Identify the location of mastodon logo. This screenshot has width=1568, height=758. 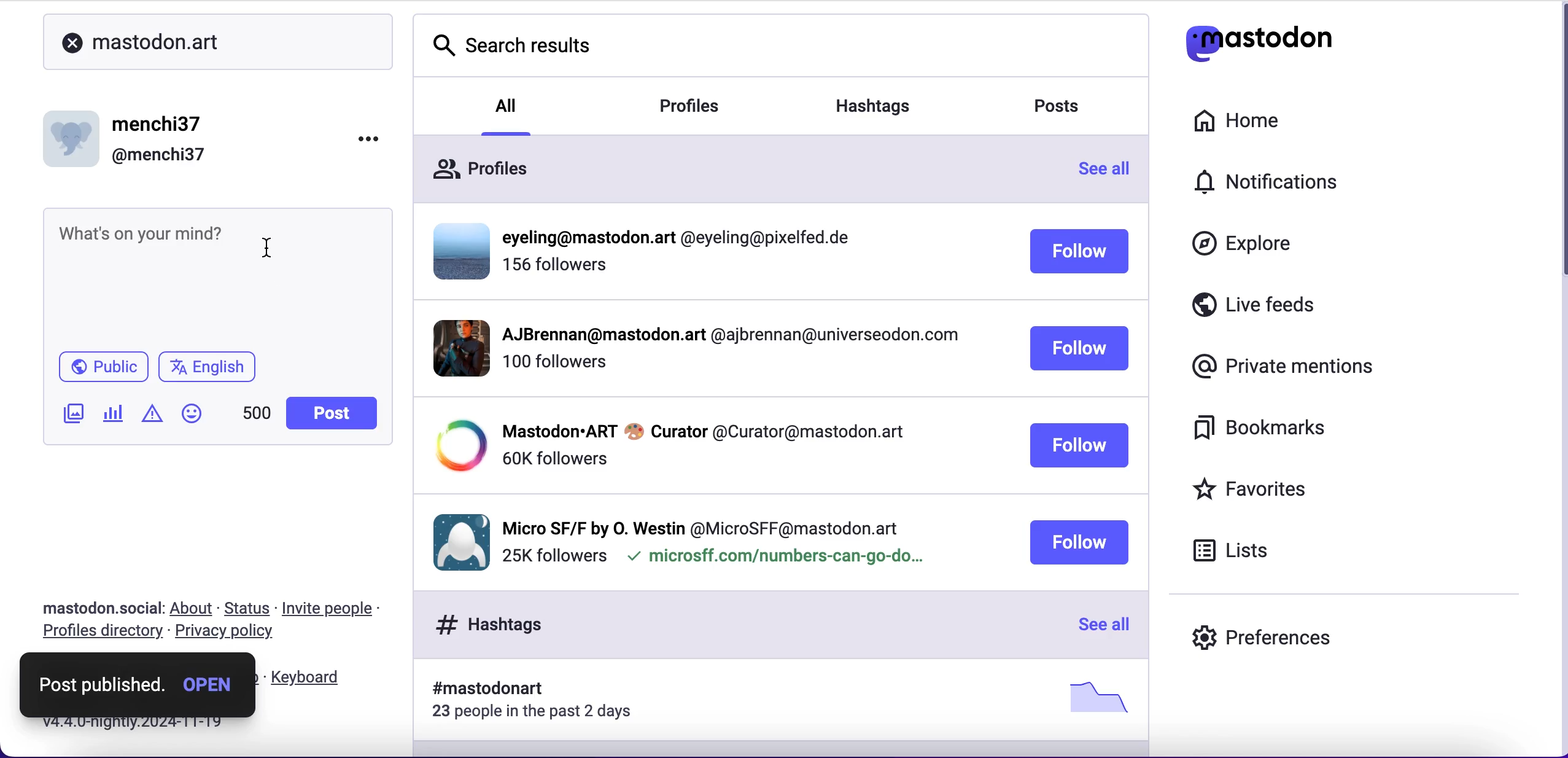
(1265, 39).